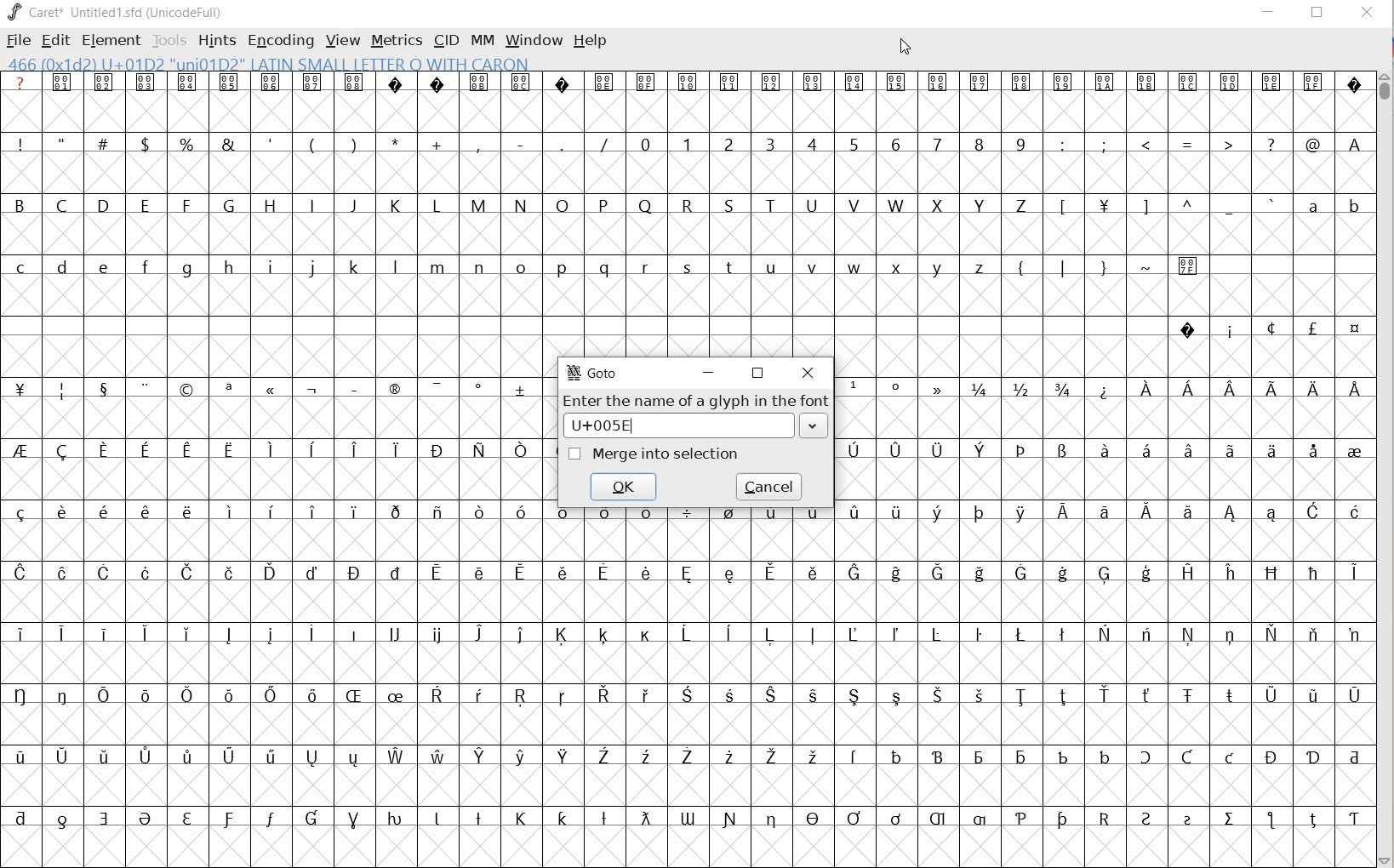 The width and height of the screenshot is (1394, 868). Describe the element at coordinates (17, 42) in the screenshot. I see `FILE` at that location.